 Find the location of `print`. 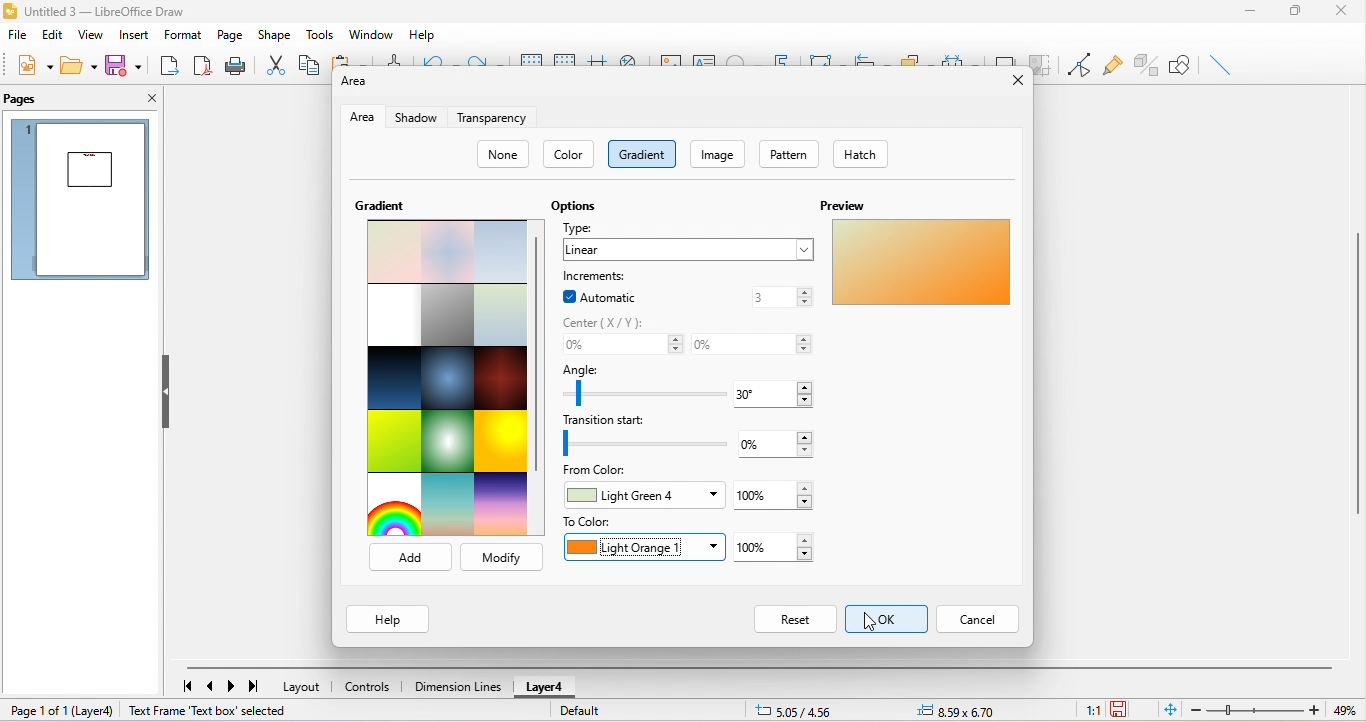

print is located at coordinates (238, 67).